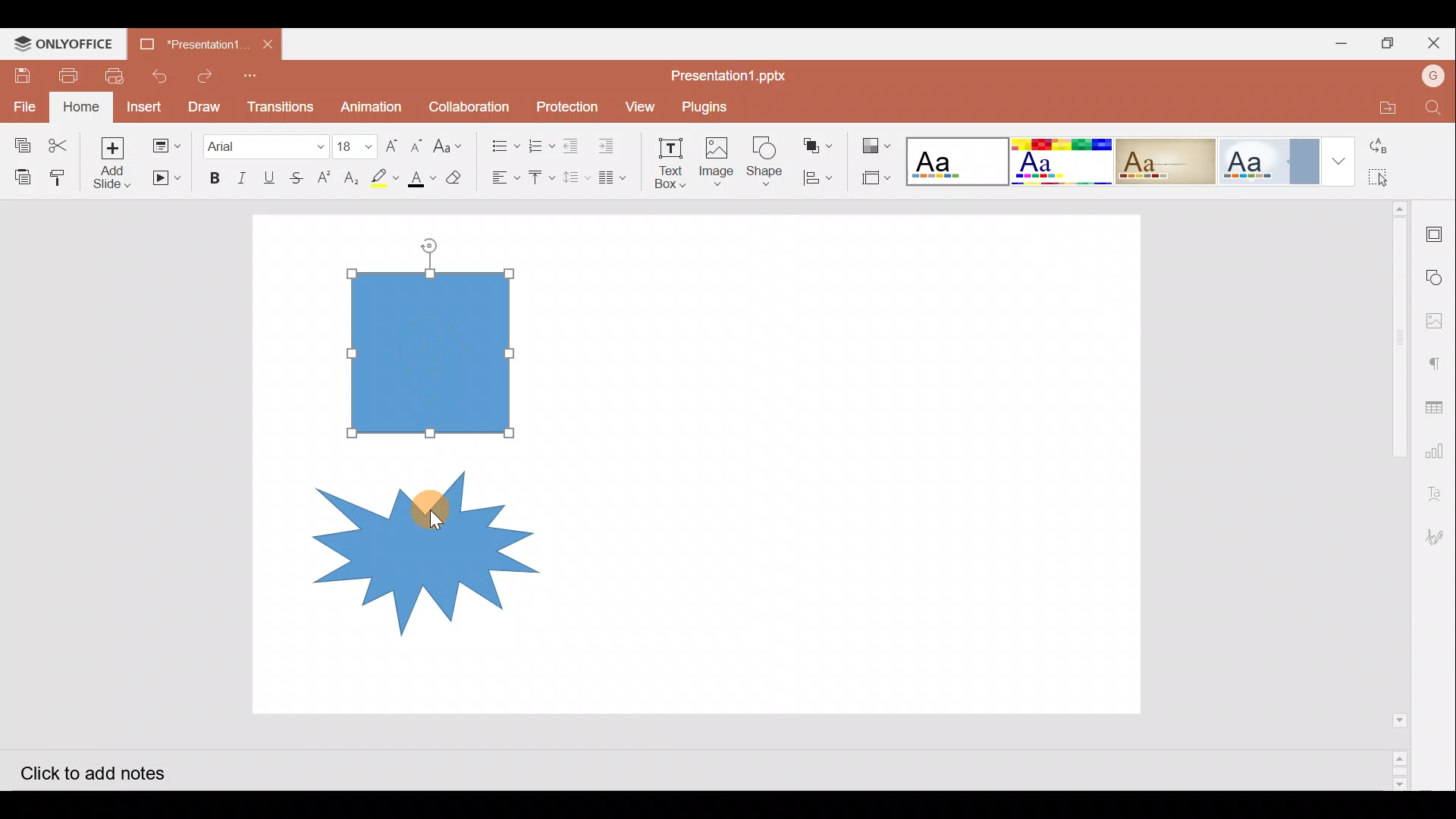 This screenshot has height=819, width=1456. I want to click on Decrease indent, so click(573, 143).